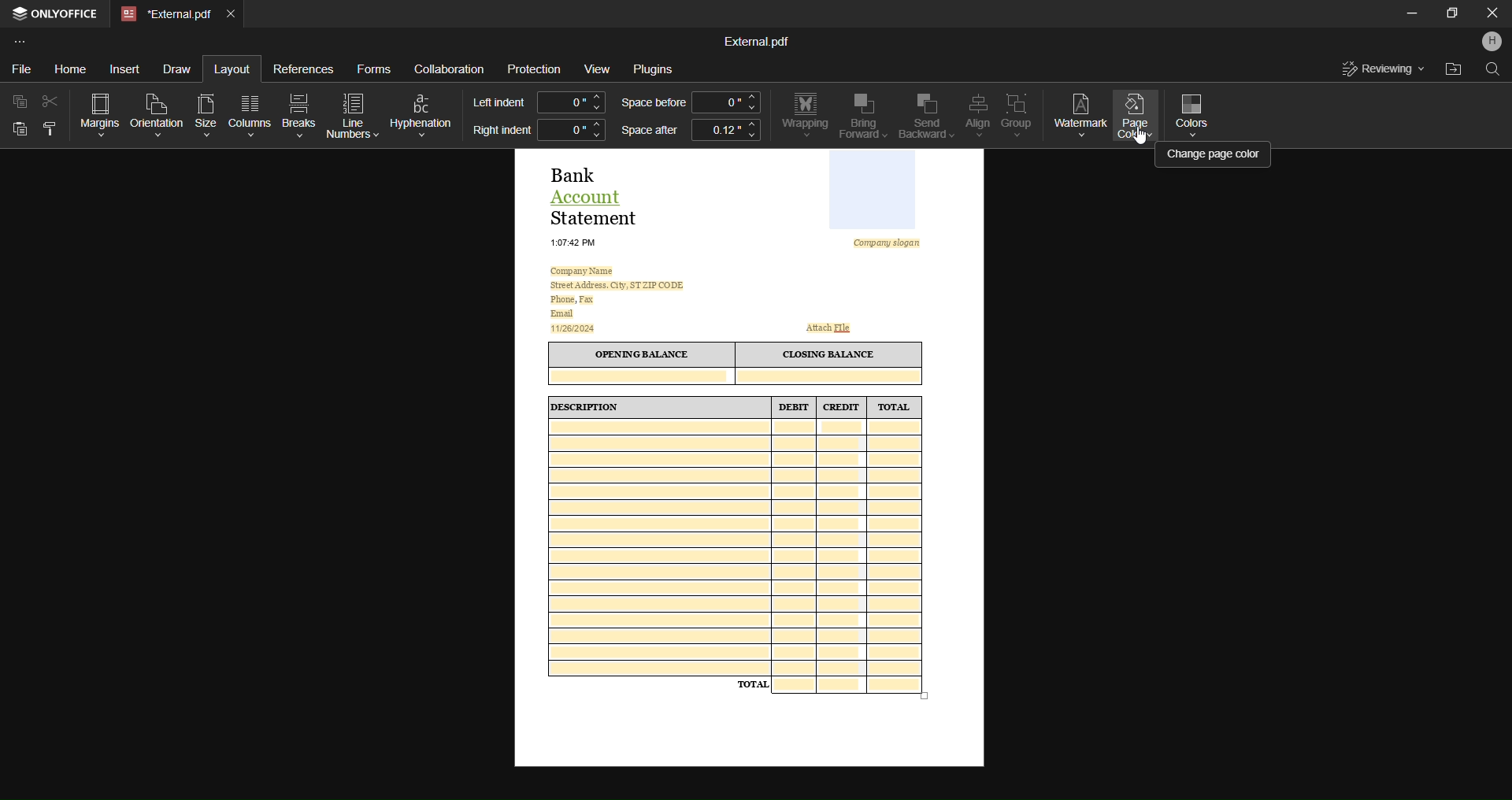 This screenshot has width=1512, height=800. Describe the element at coordinates (205, 113) in the screenshot. I see `Size` at that location.